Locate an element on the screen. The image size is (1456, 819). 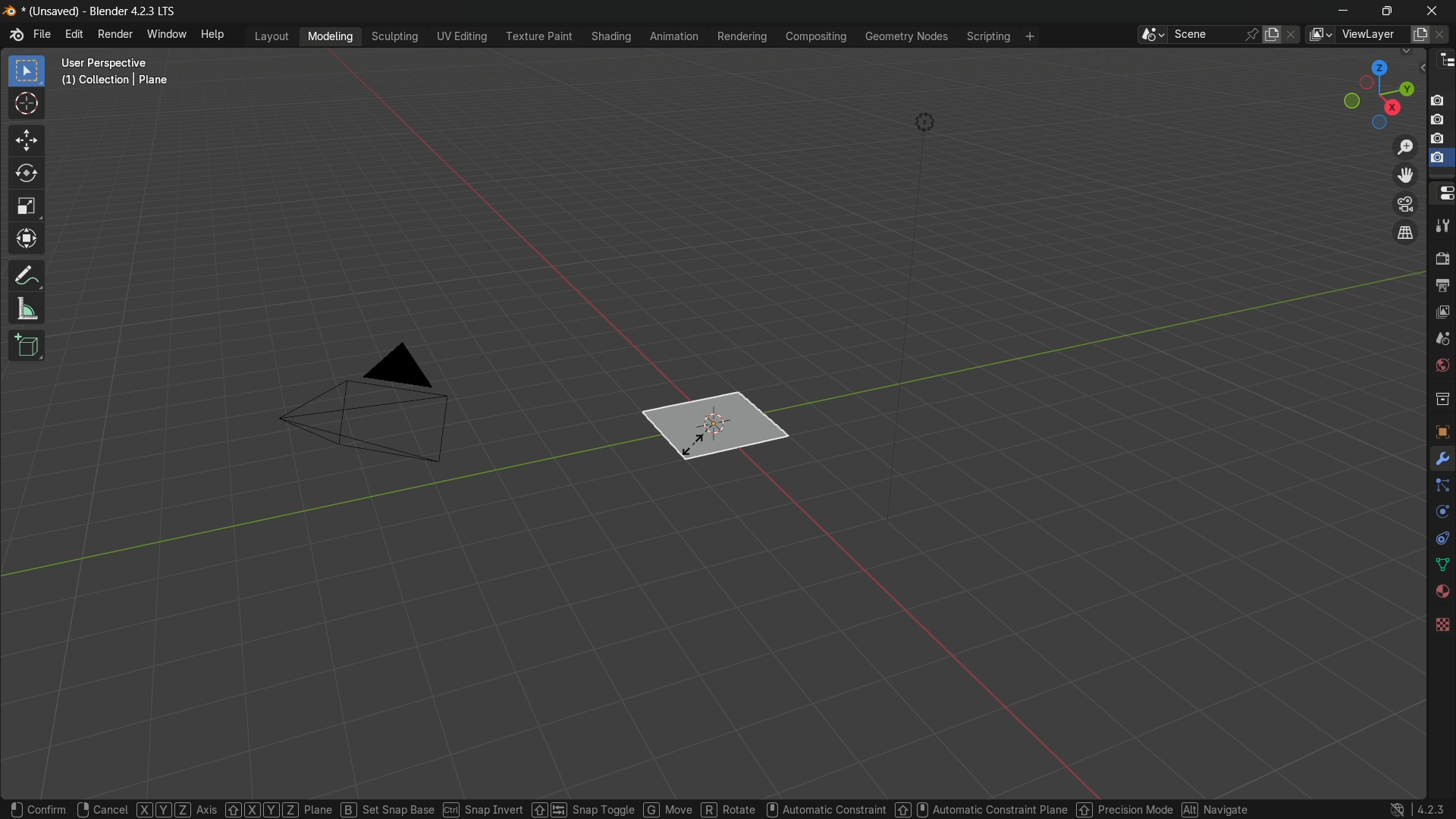
remove view layer is located at coordinates (1442, 36).